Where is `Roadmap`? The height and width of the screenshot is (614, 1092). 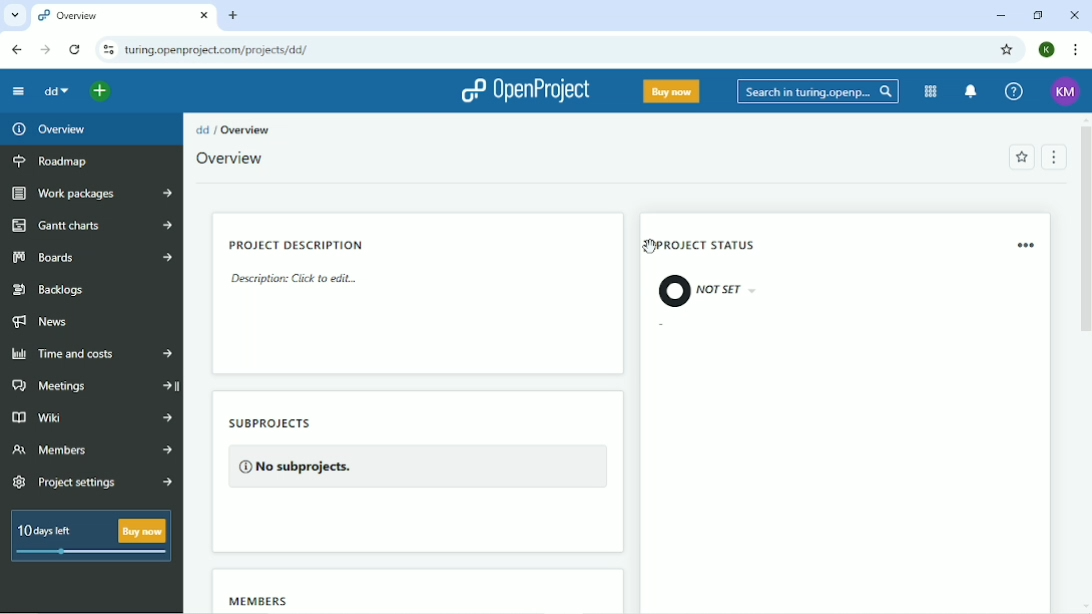 Roadmap is located at coordinates (53, 161).